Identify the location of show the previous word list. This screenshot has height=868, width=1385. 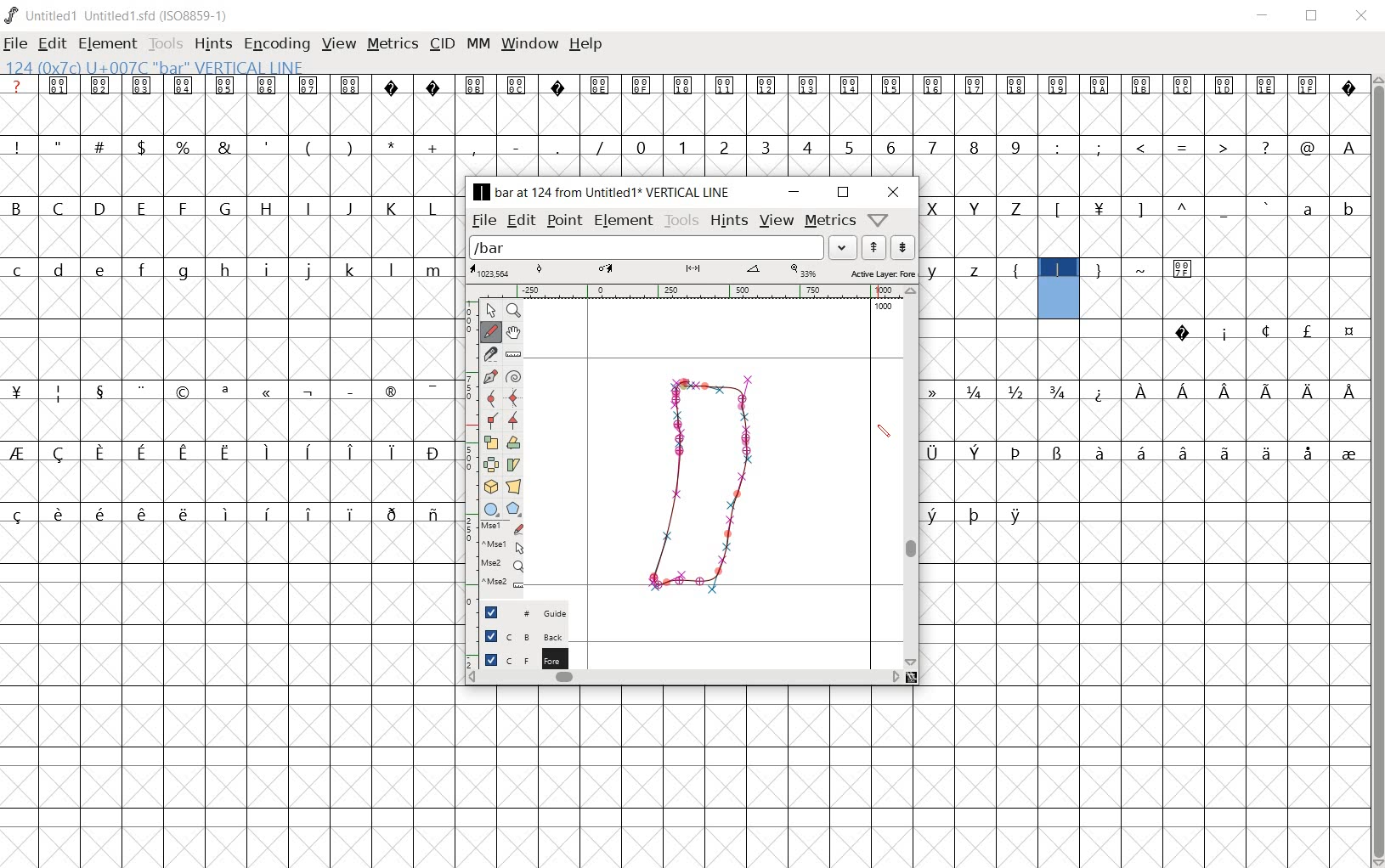
(873, 247).